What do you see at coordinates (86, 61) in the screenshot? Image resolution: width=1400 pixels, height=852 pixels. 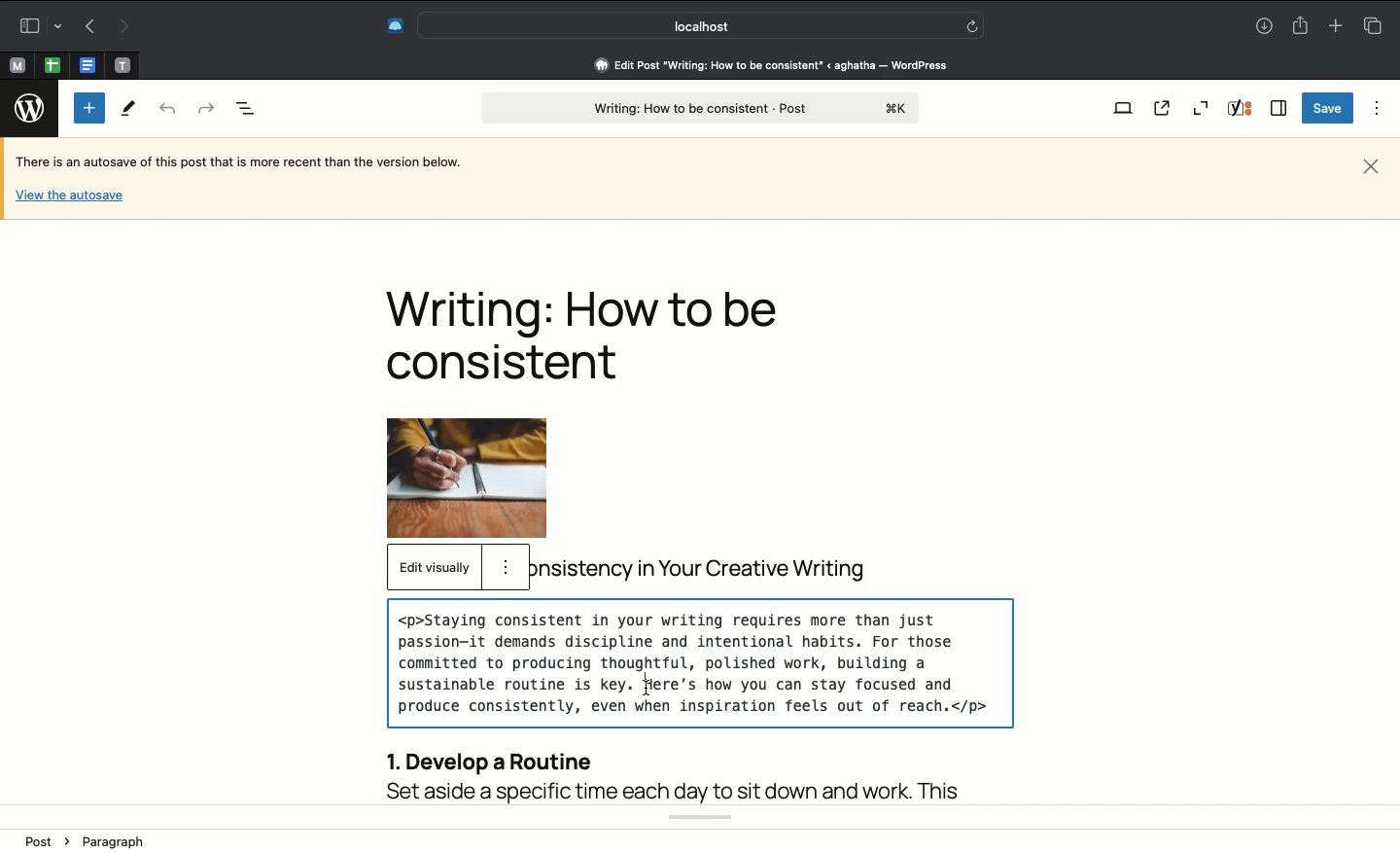 I see `pinned tab, google docs` at bounding box center [86, 61].